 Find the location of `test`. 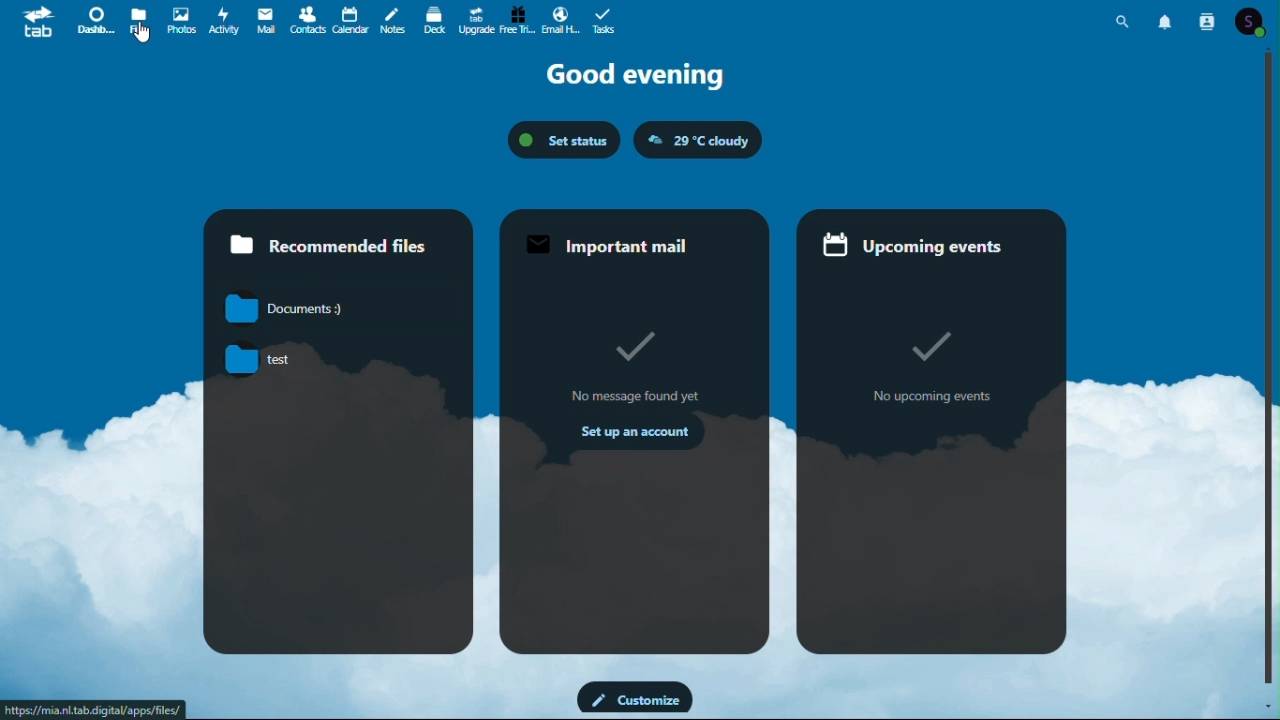

test is located at coordinates (310, 359).